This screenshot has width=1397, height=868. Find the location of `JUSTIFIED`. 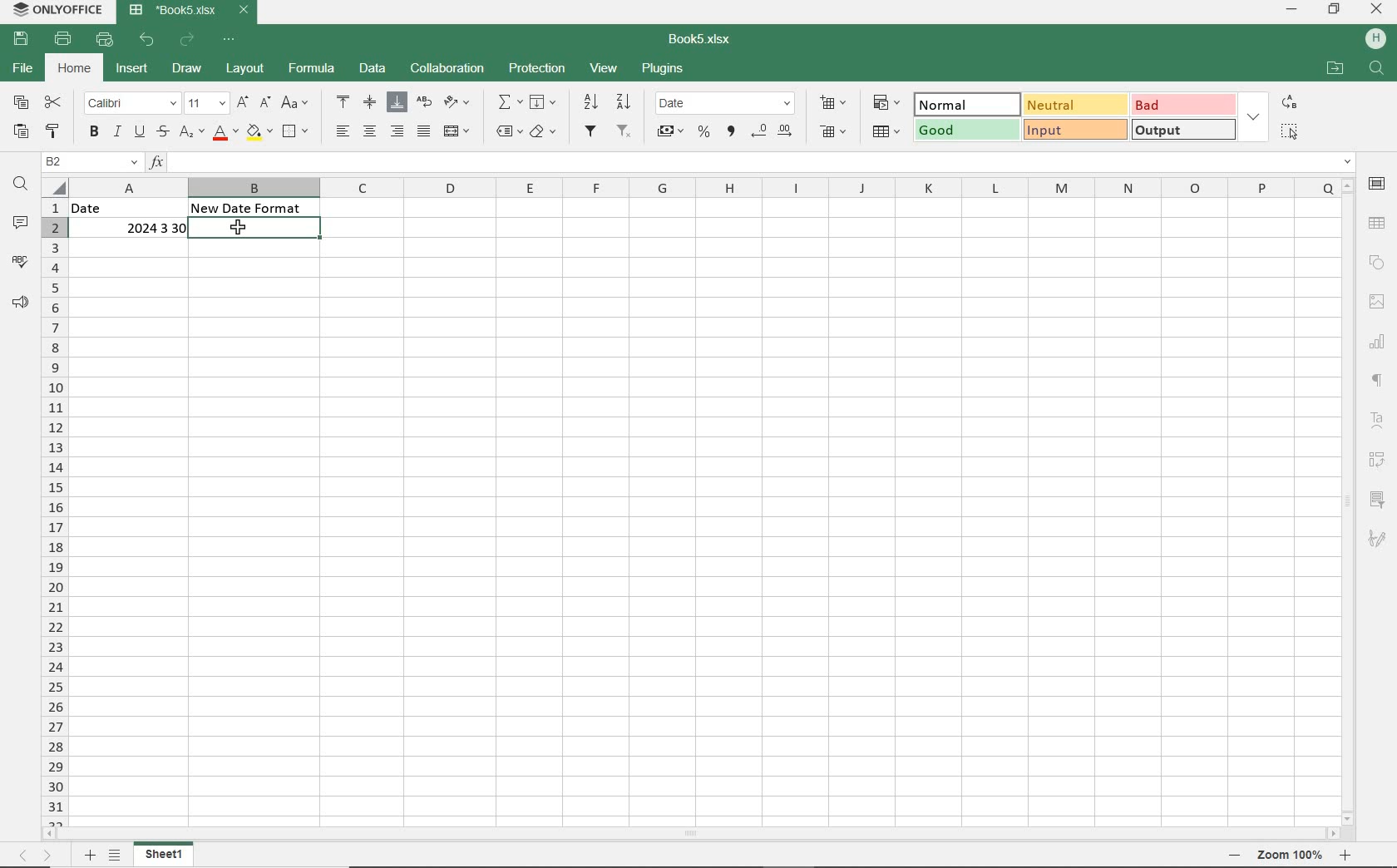

JUSTIFIED is located at coordinates (425, 131).